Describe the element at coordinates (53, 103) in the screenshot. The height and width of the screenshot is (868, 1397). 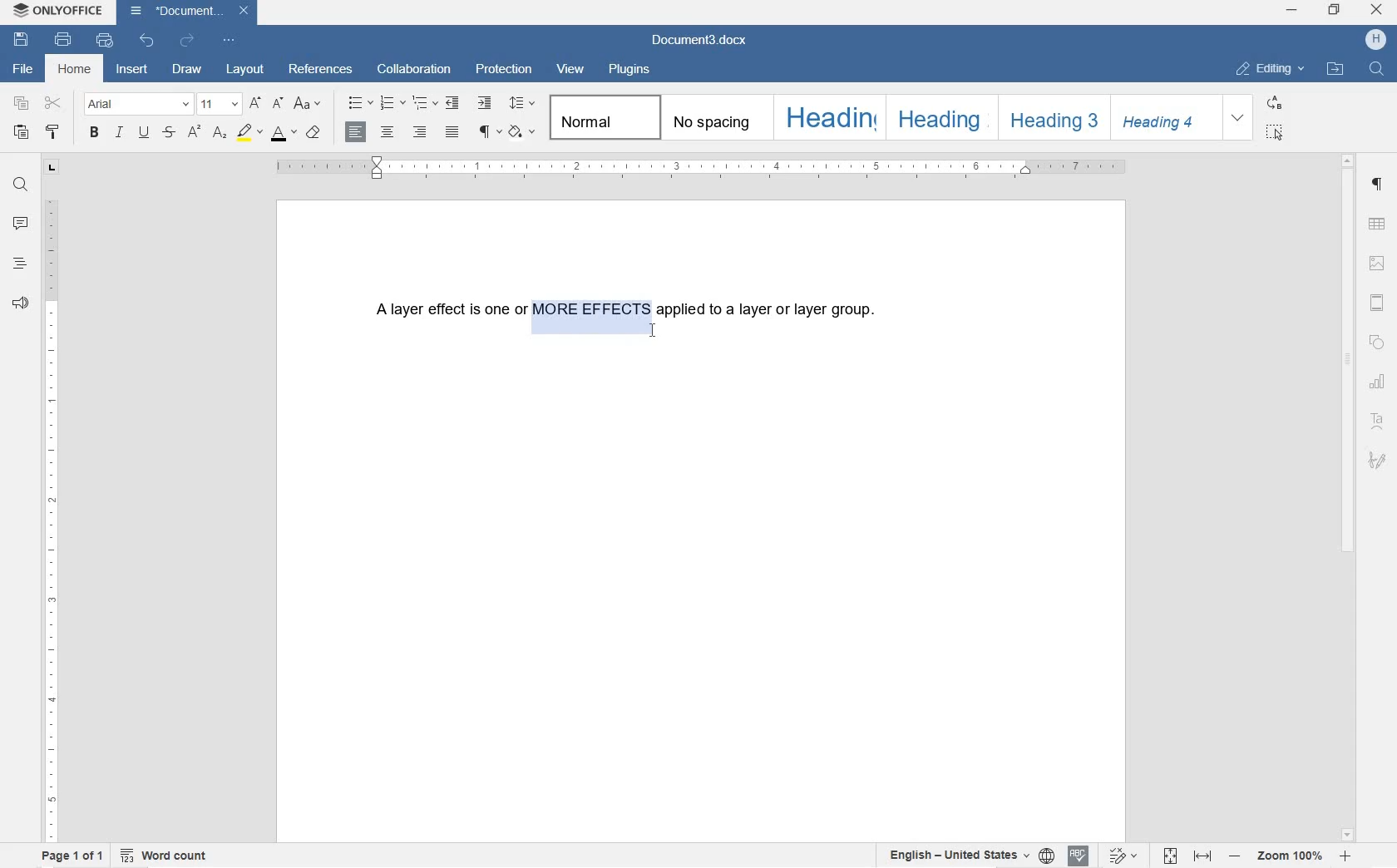
I see `CUT` at that location.